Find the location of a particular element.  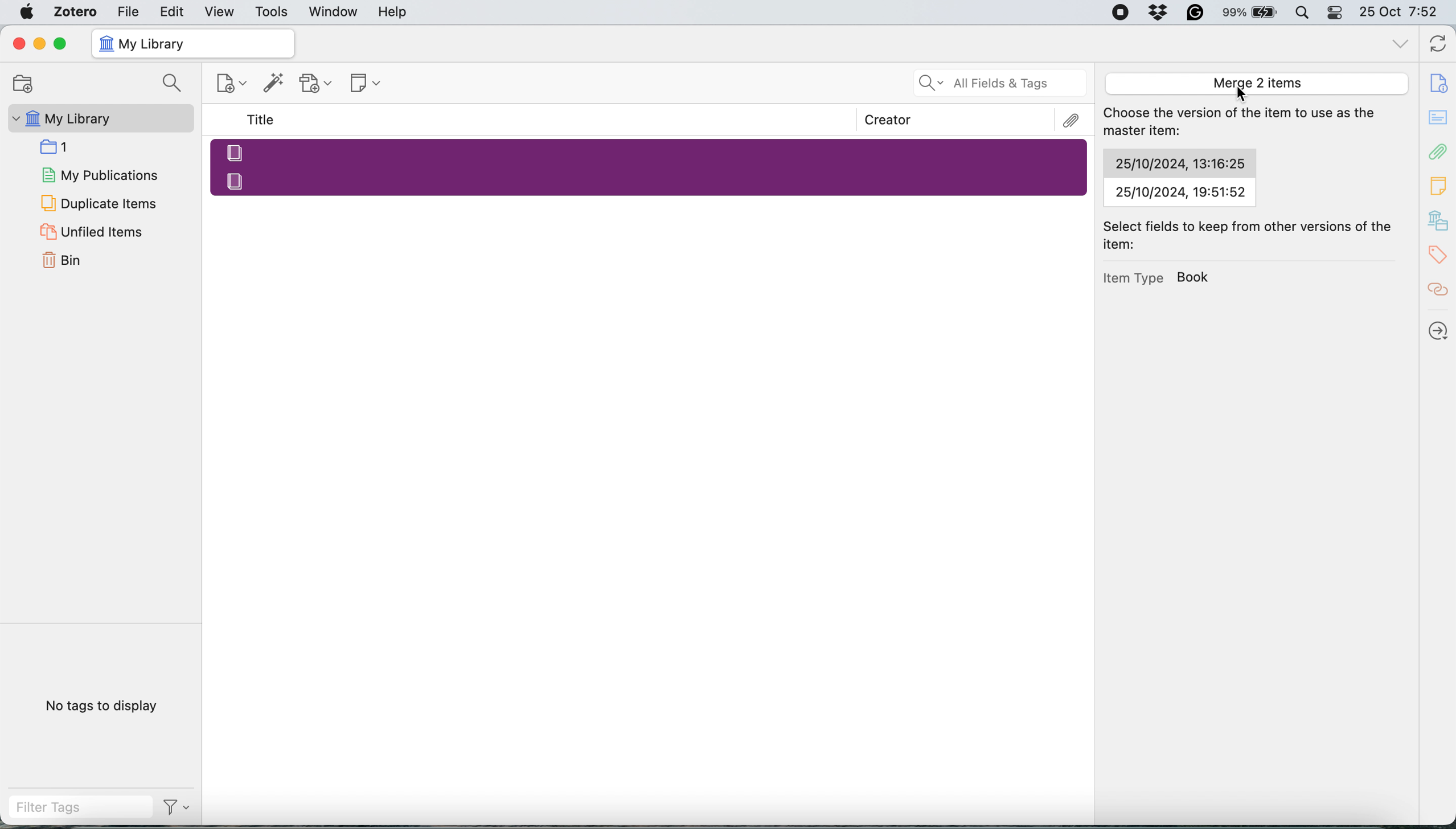

Apple Menu is located at coordinates (29, 12).